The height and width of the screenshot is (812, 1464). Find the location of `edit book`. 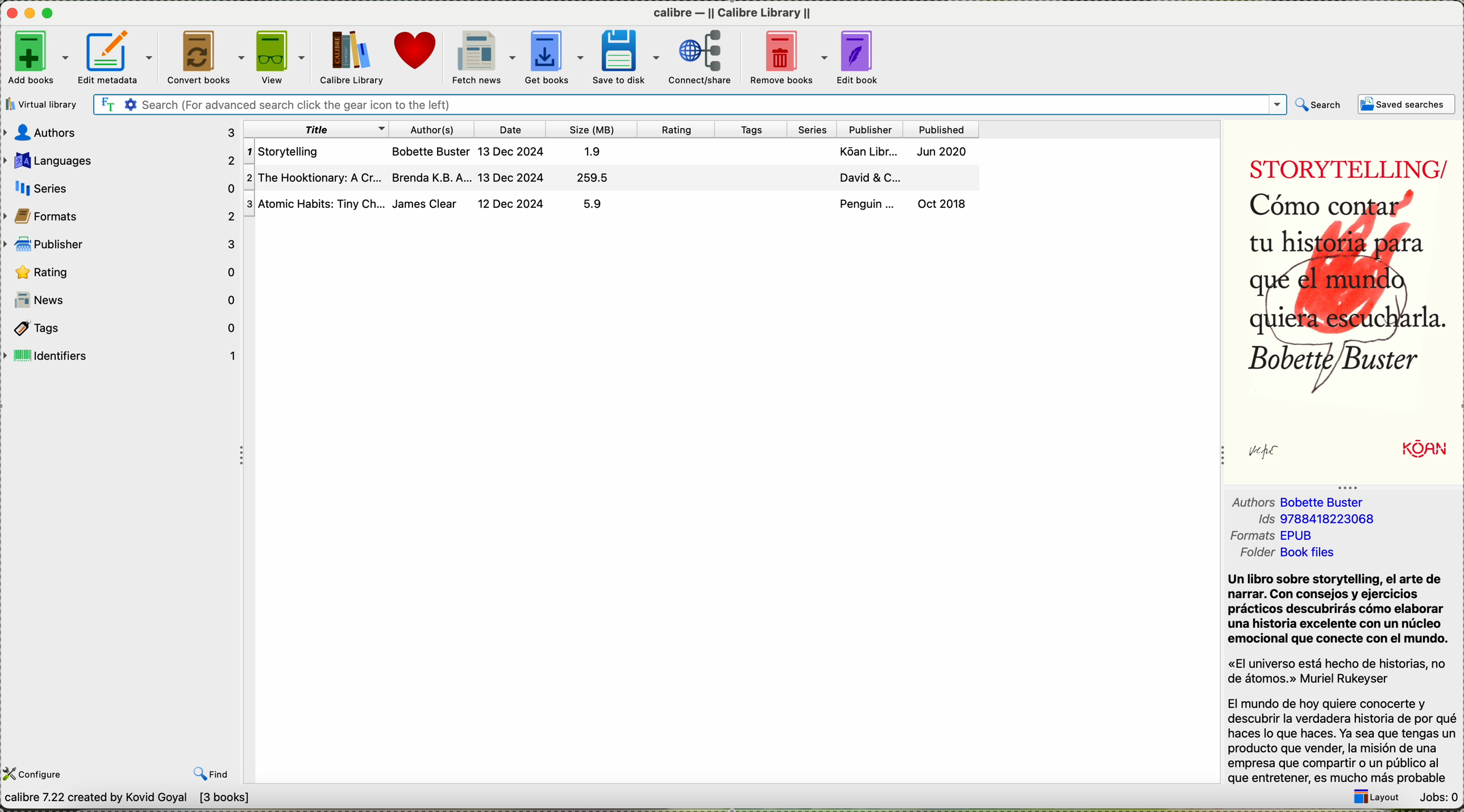

edit book is located at coordinates (859, 55).